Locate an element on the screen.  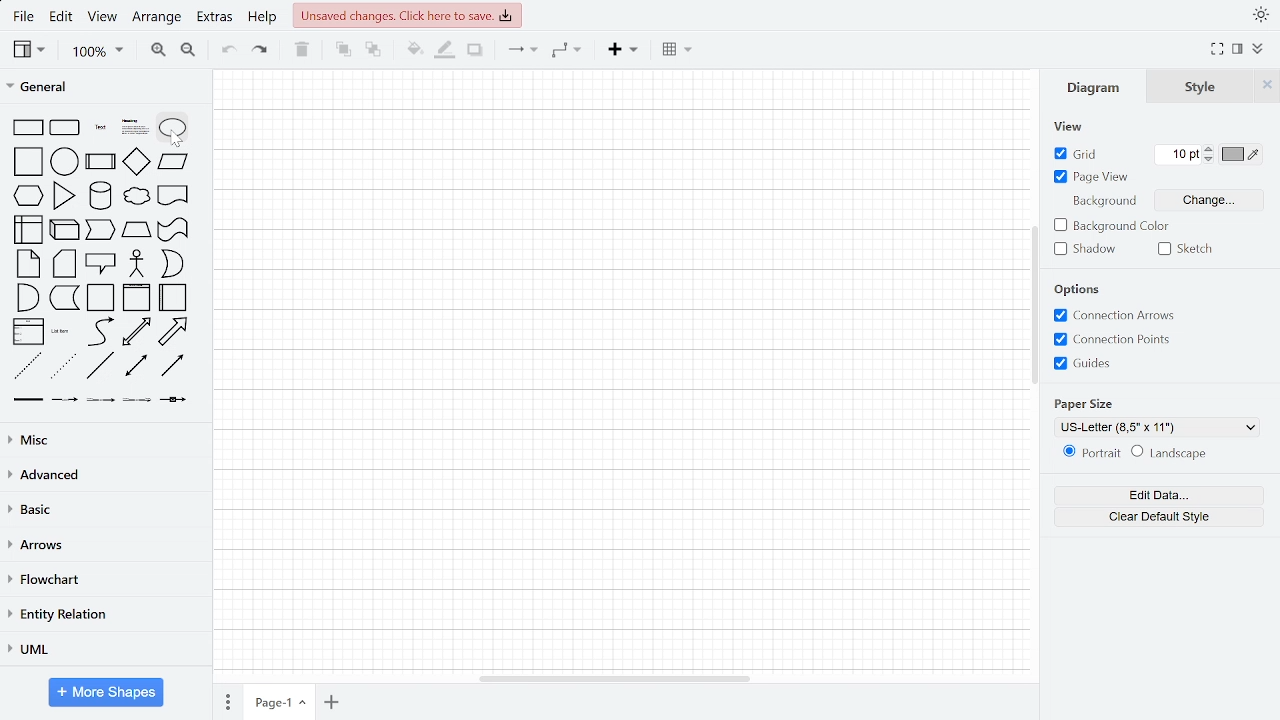
Background color is located at coordinates (1112, 226).